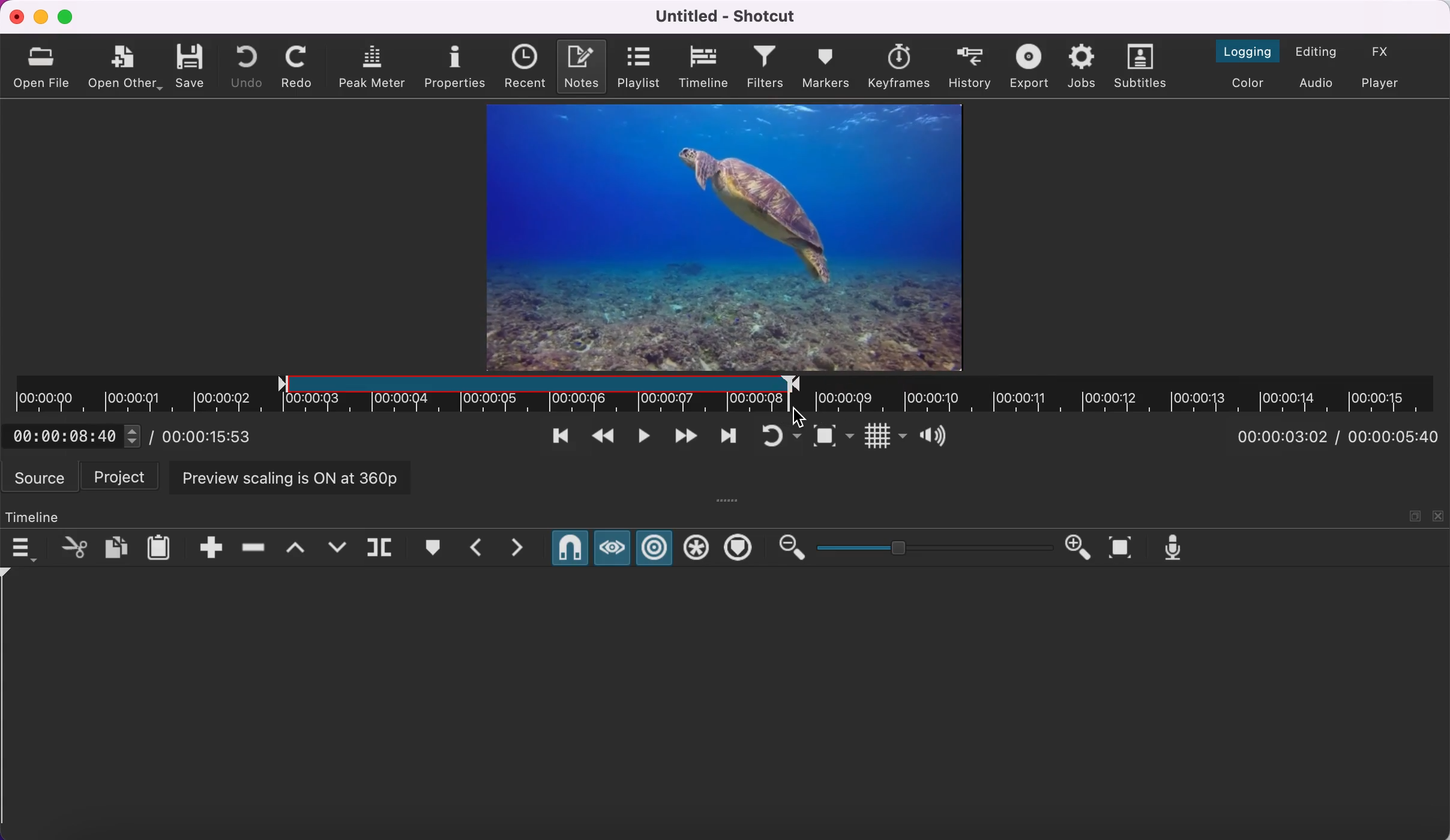 The image size is (1450, 840). I want to click on zoom timeline to fit, so click(1125, 548).